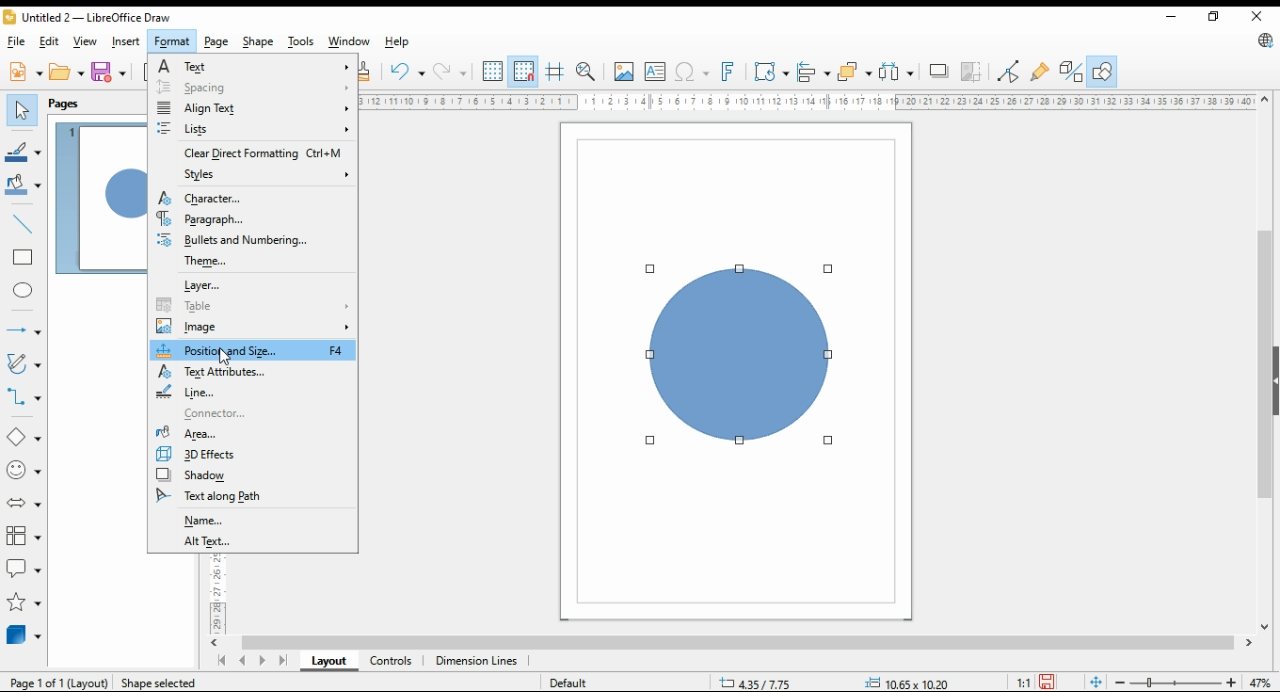 The image size is (1280, 692). What do you see at coordinates (1173, 18) in the screenshot?
I see `minimize` at bounding box center [1173, 18].